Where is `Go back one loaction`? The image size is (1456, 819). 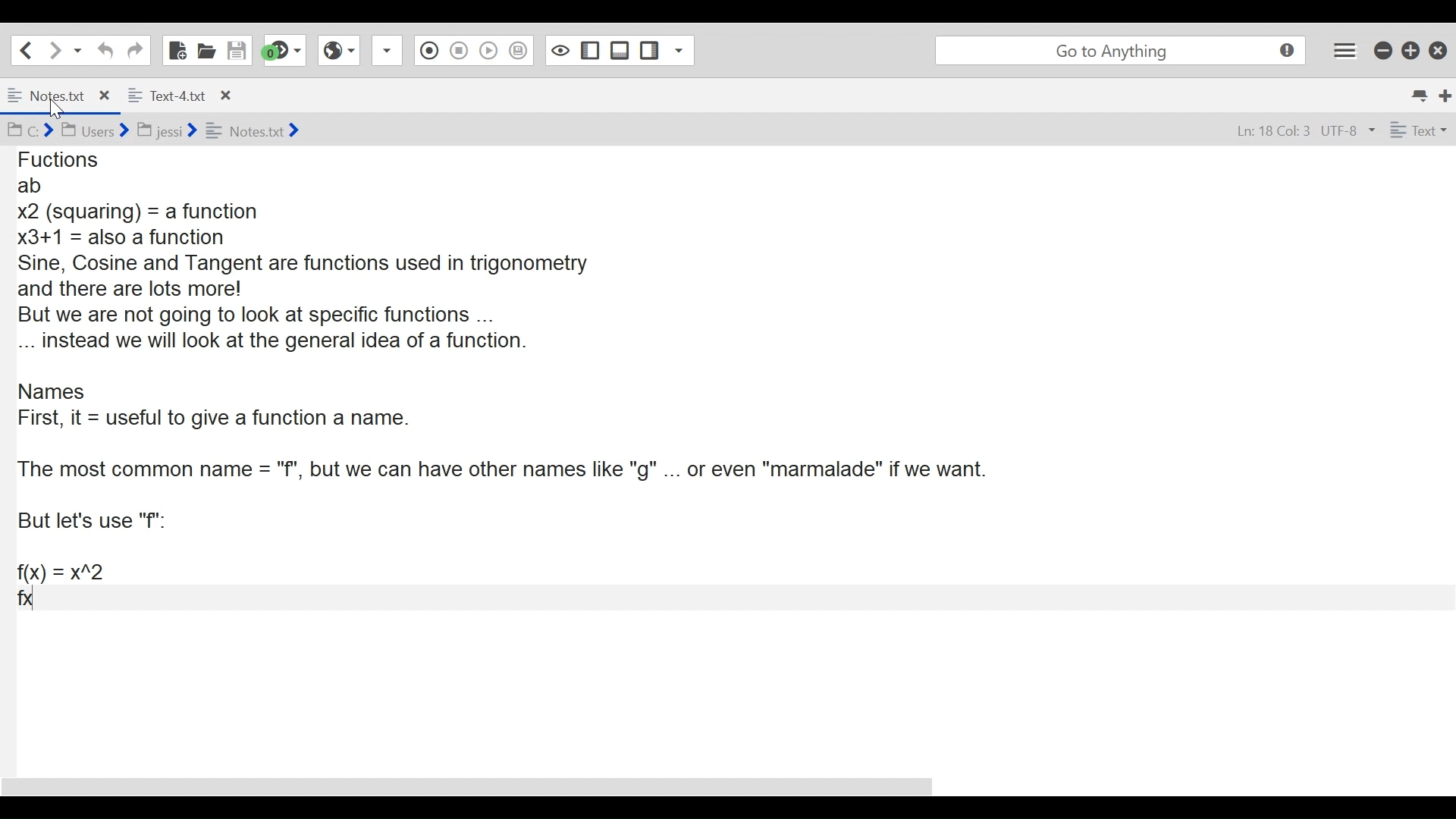 Go back one loaction is located at coordinates (25, 49).